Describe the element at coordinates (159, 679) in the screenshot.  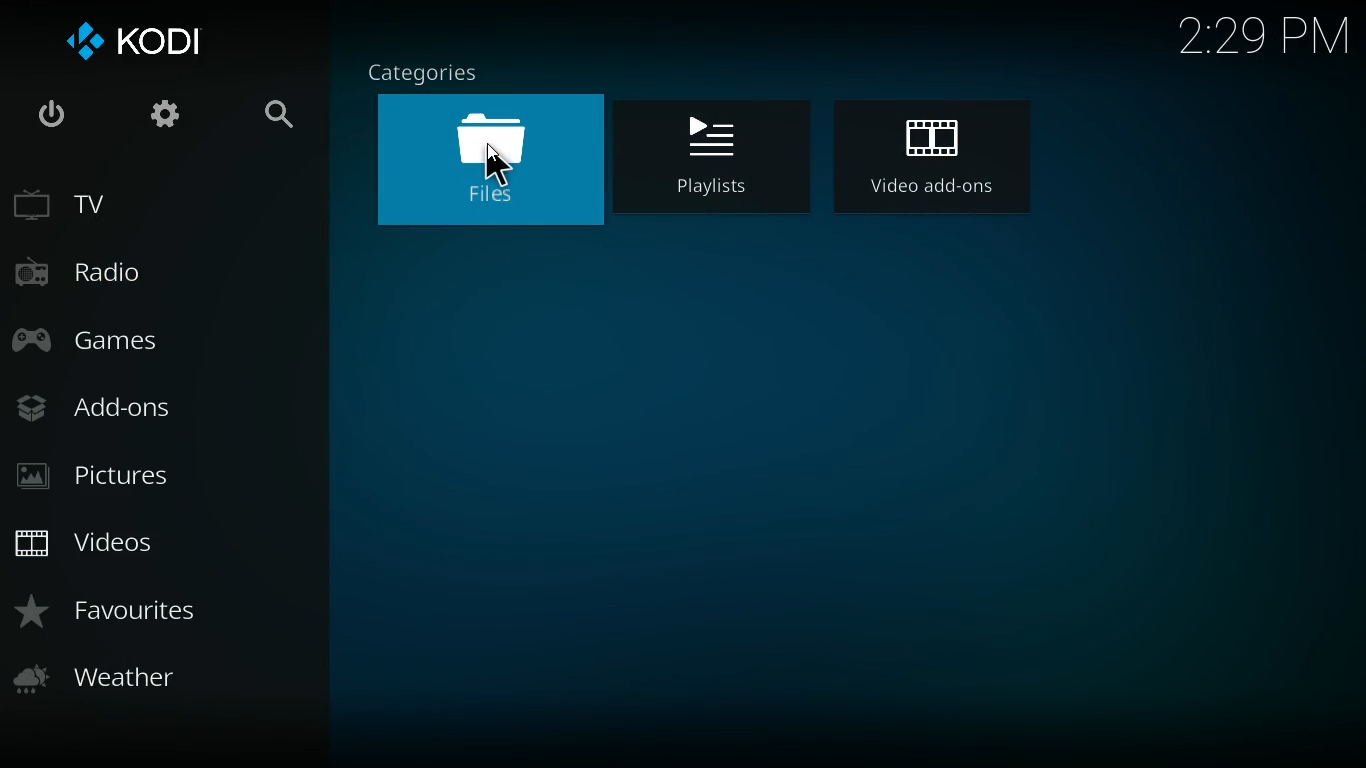
I see `weather` at that location.